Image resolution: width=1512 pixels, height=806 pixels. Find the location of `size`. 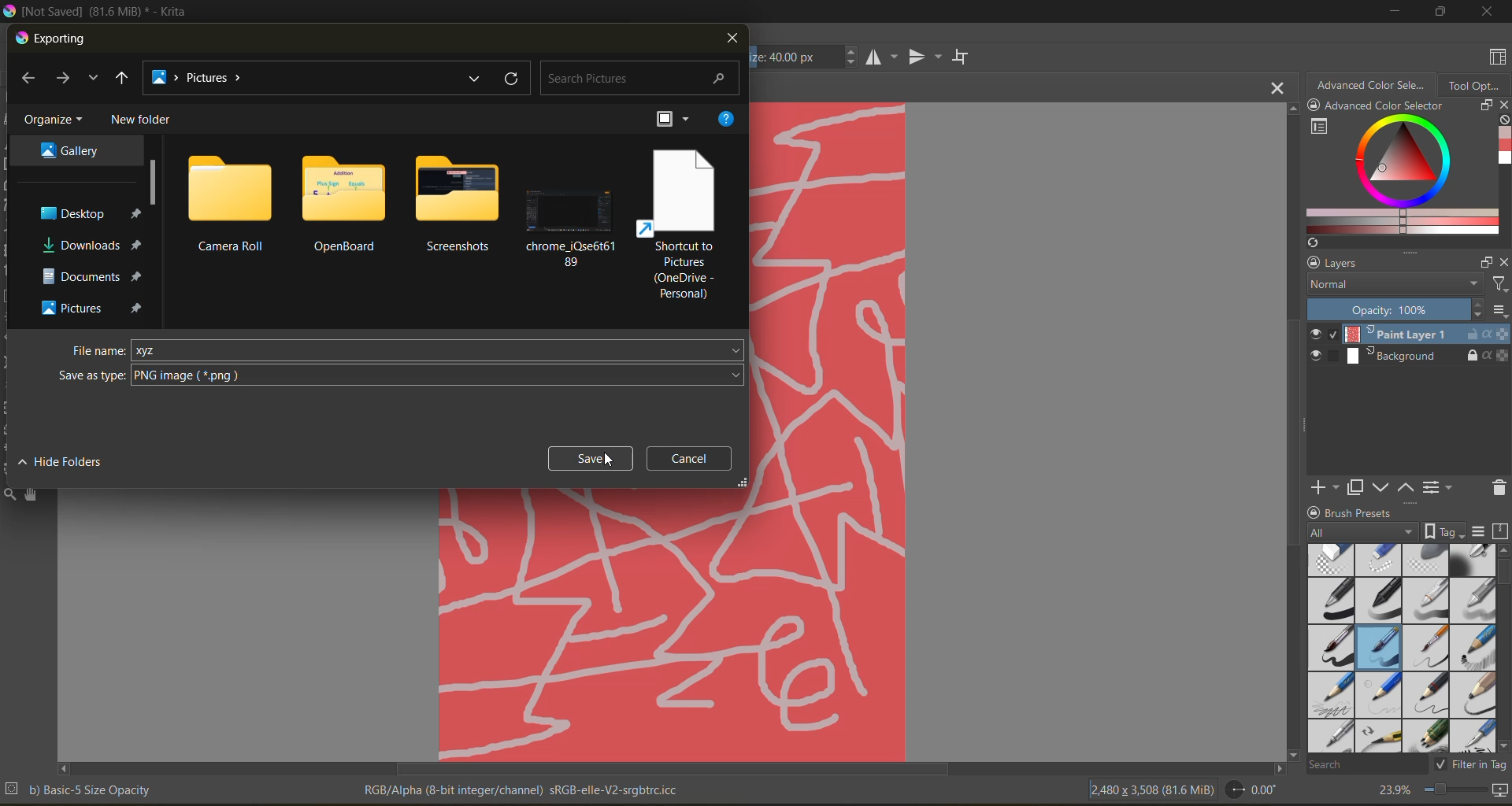

size is located at coordinates (806, 57).